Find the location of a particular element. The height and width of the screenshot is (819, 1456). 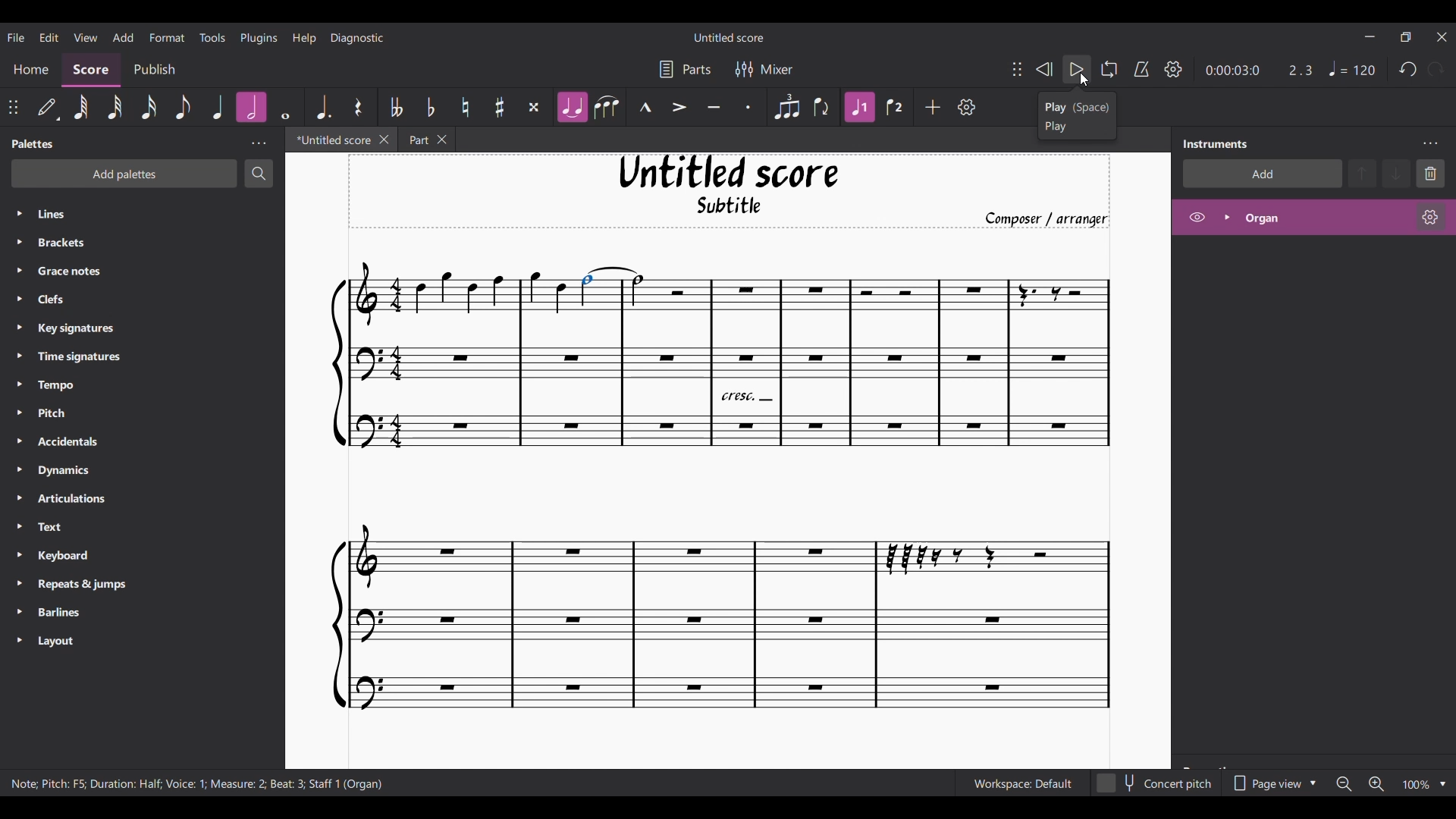

Highlighted after current selection is located at coordinates (860, 107).